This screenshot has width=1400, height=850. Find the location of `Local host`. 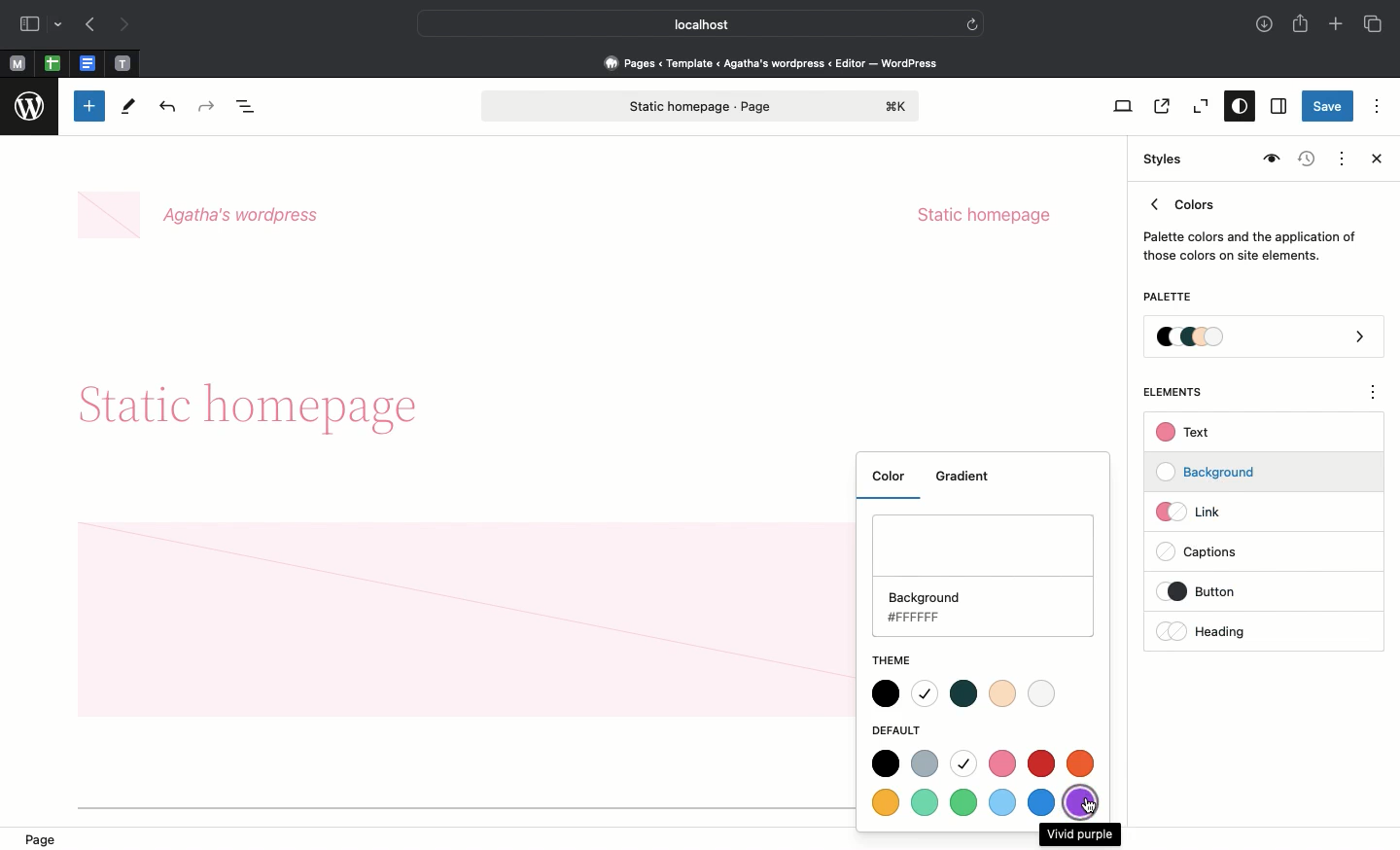

Local host is located at coordinates (686, 23).